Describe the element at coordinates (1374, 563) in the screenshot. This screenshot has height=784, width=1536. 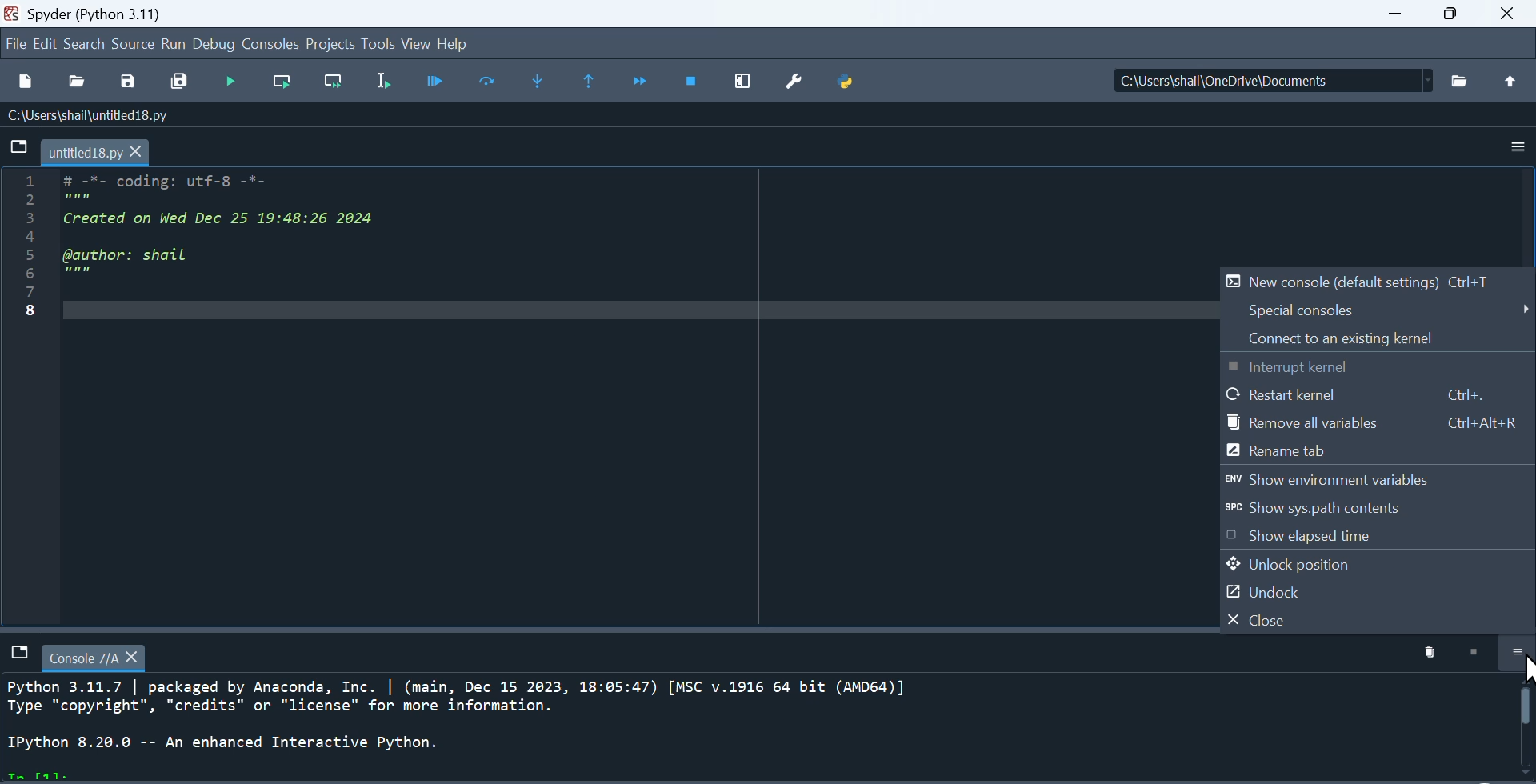
I see `unlock position` at that location.